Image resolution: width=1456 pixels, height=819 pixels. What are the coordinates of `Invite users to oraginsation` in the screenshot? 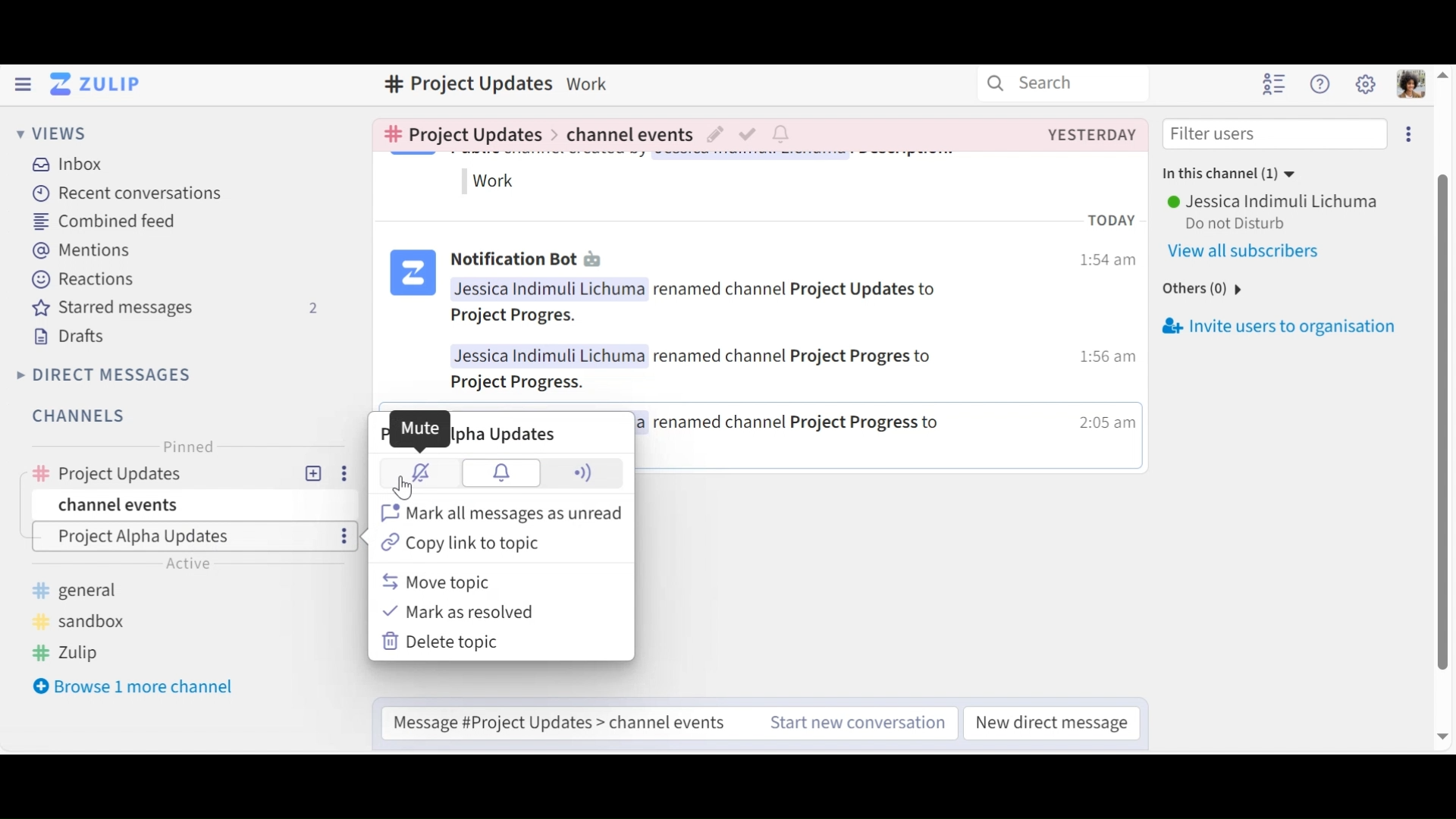 It's located at (1295, 324).